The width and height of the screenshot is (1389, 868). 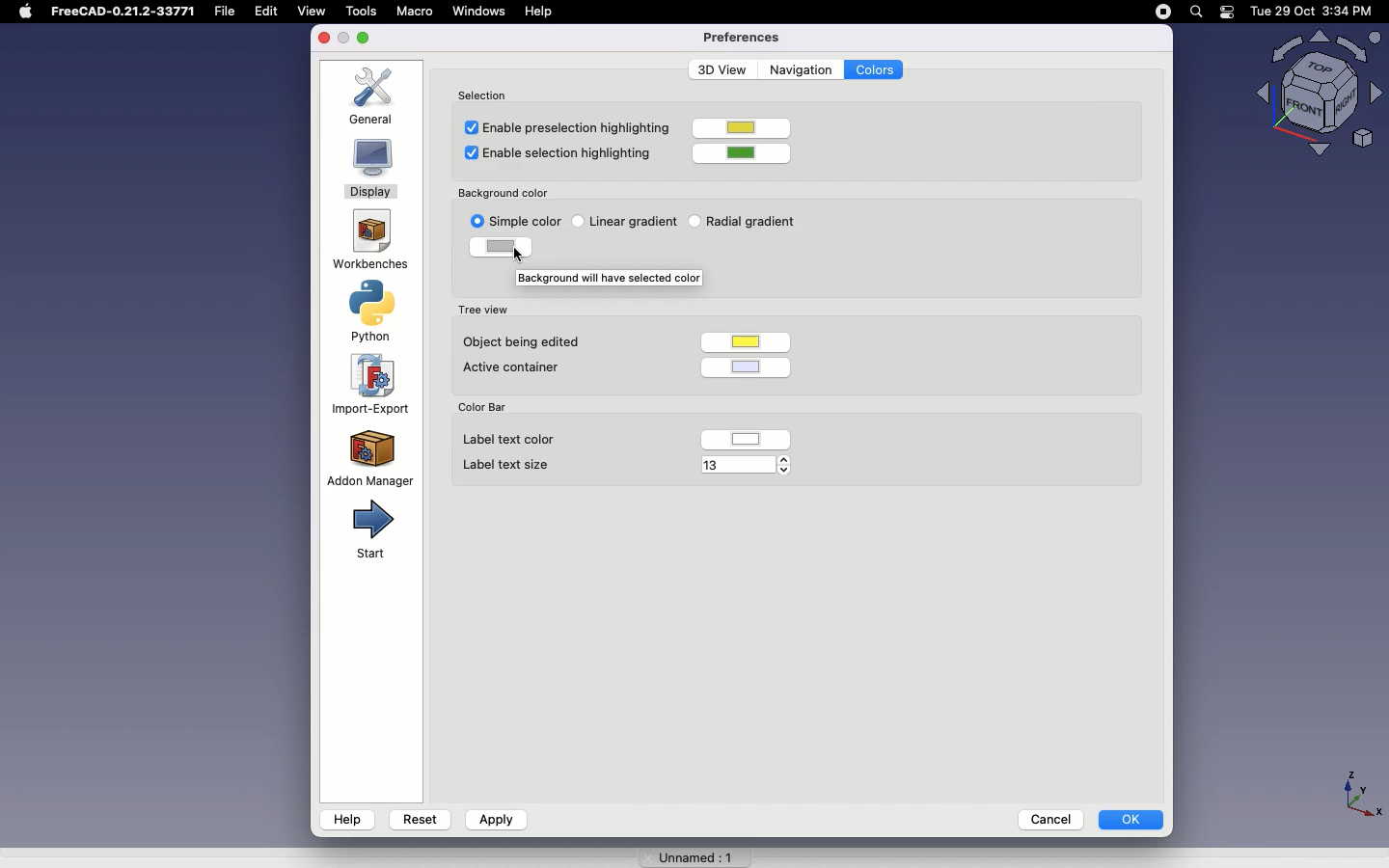 I want to click on windows, so click(x=479, y=12).